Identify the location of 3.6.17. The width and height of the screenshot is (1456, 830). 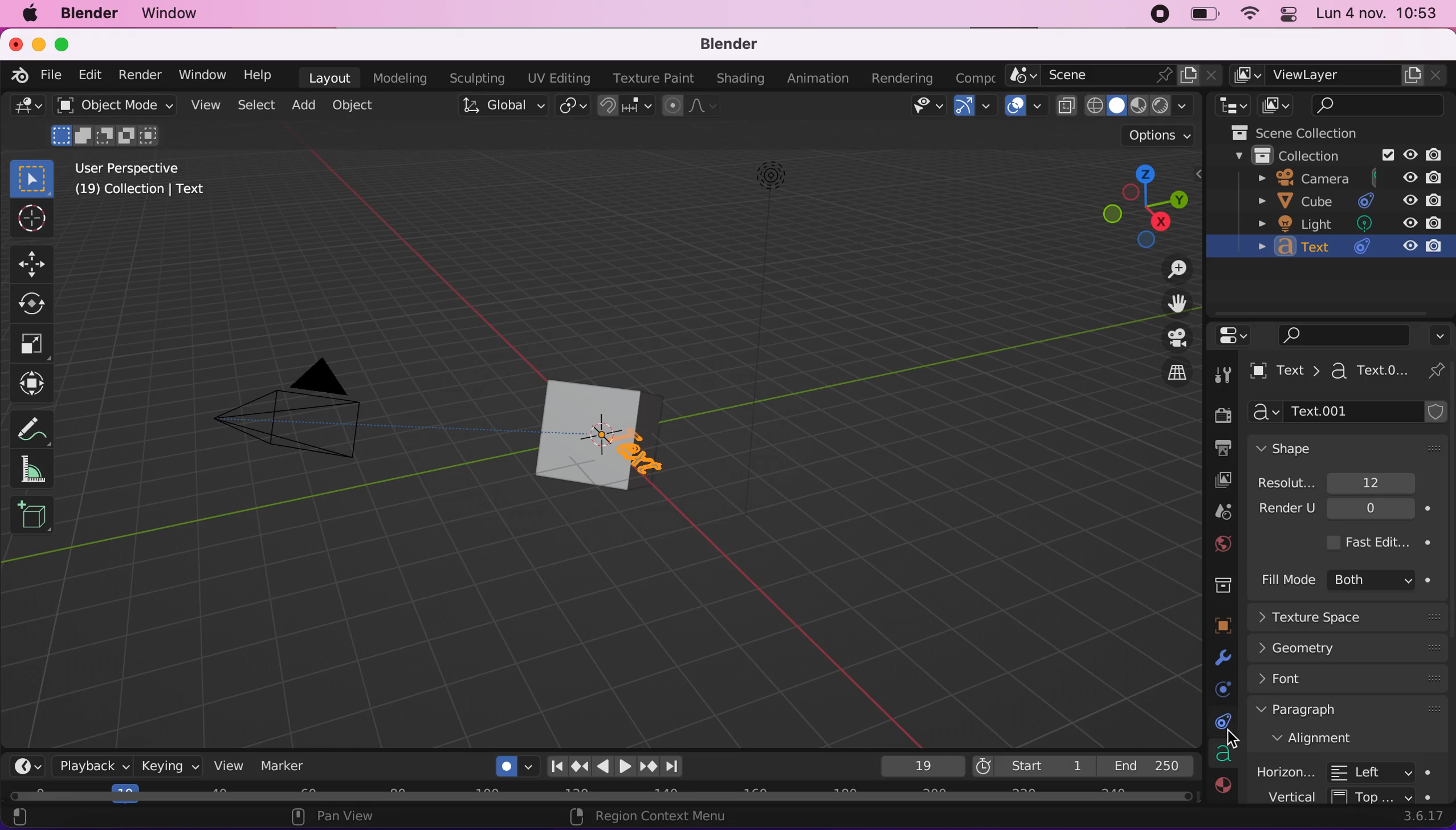
(1421, 816).